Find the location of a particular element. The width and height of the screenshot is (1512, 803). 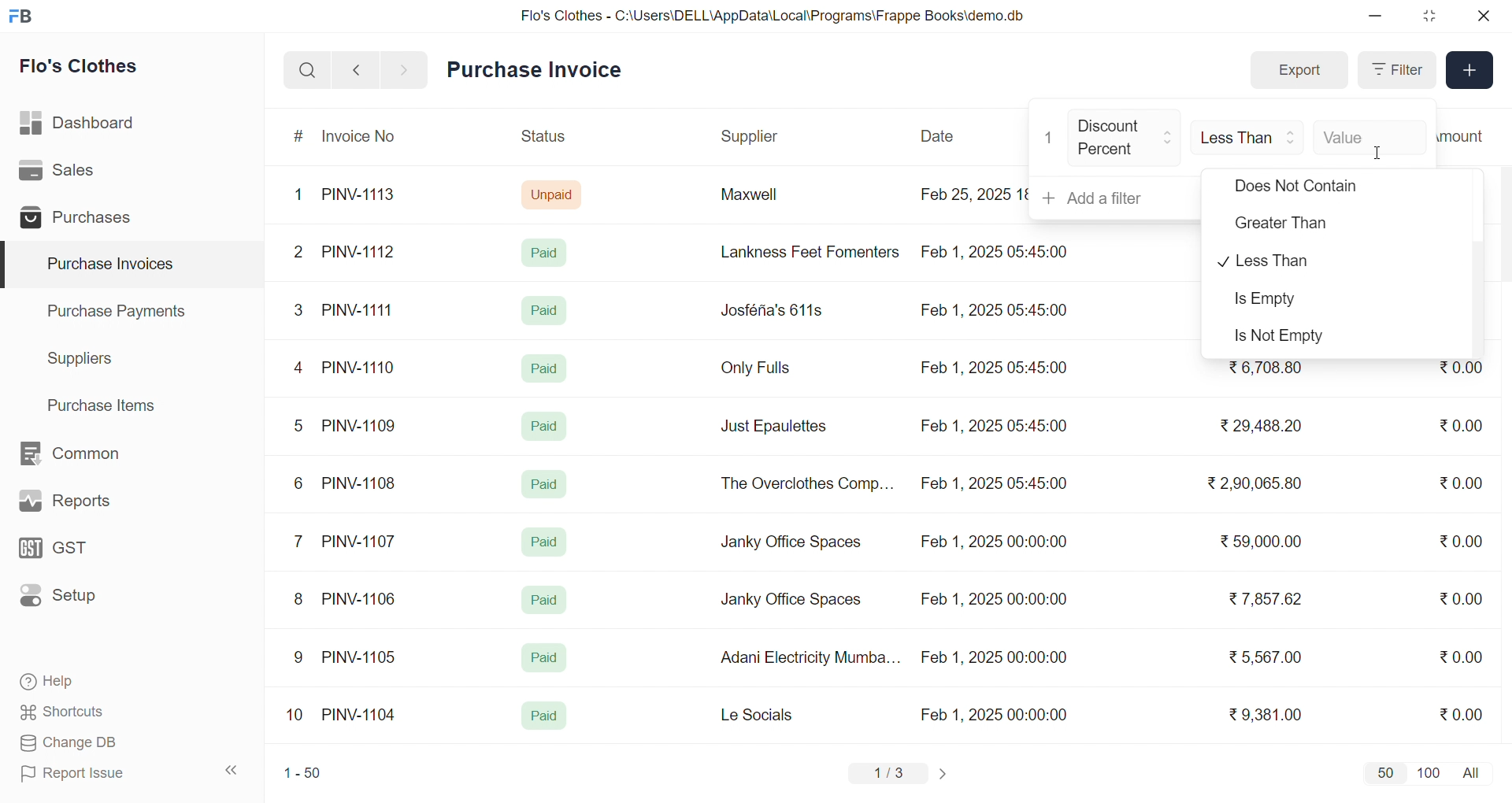

Feb 1, 2025 00:00:00 is located at coordinates (994, 657).